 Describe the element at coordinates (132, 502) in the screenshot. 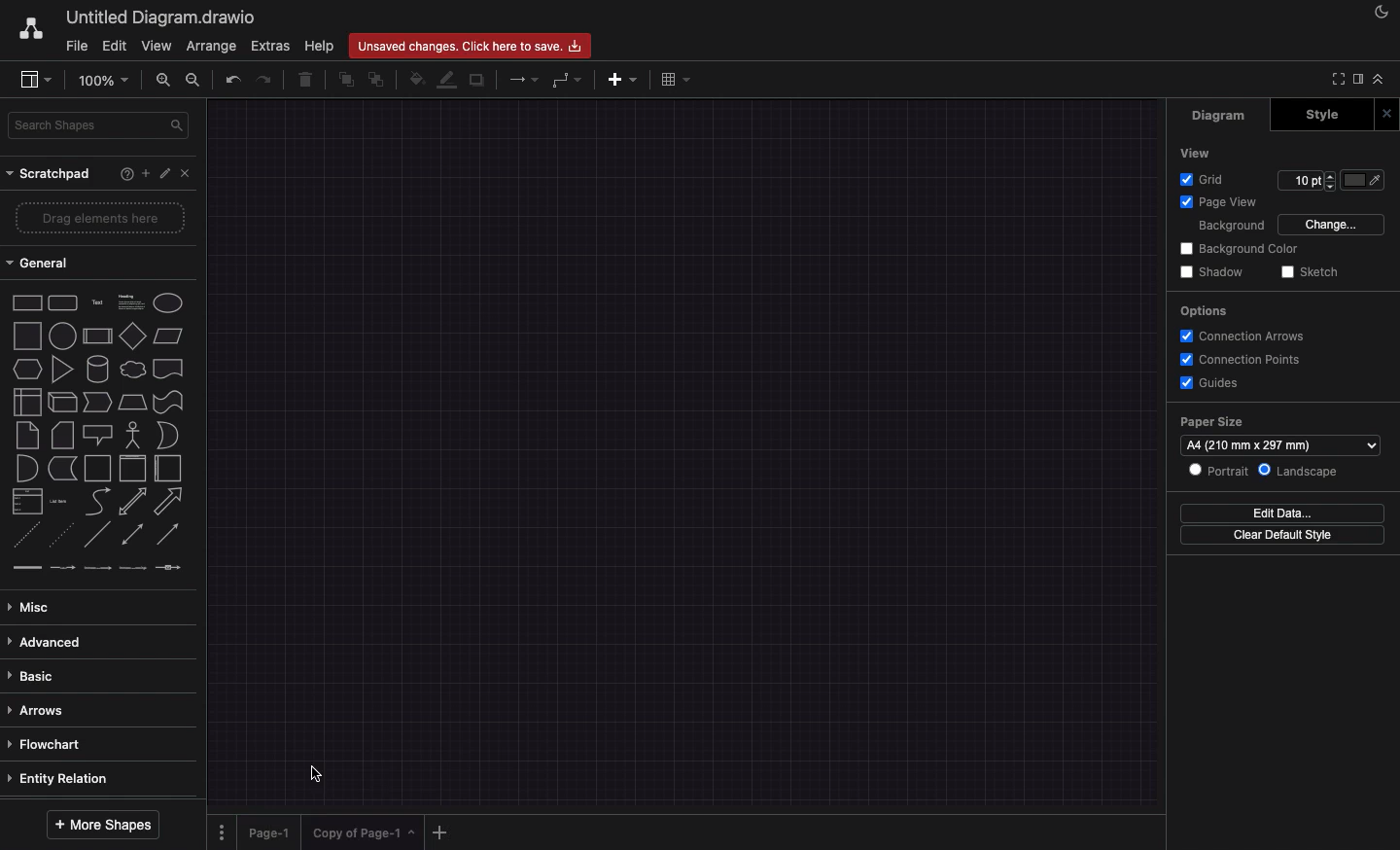

I see `bidirectional arrow` at that location.